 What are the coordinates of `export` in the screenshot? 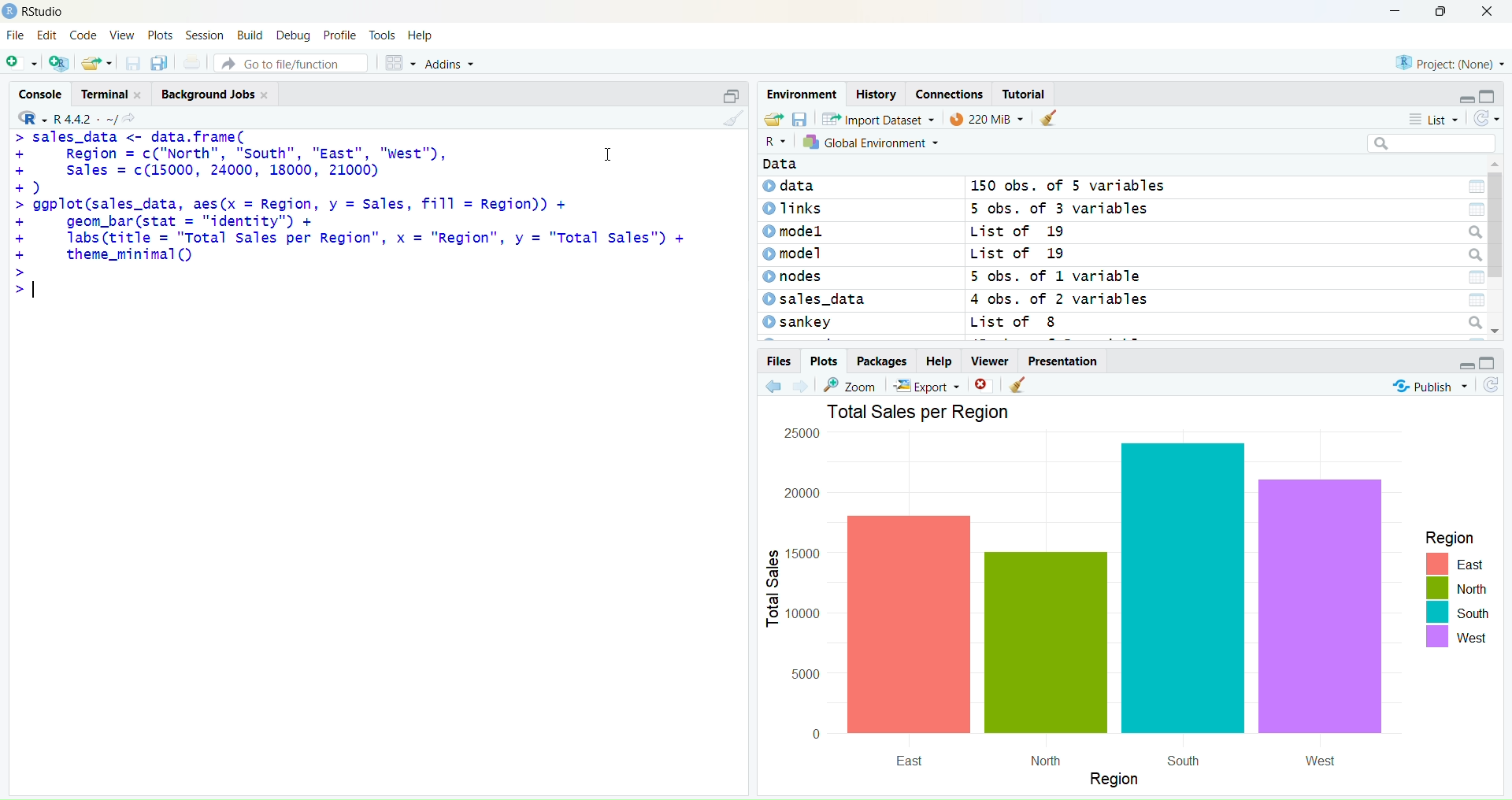 It's located at (773, 120).